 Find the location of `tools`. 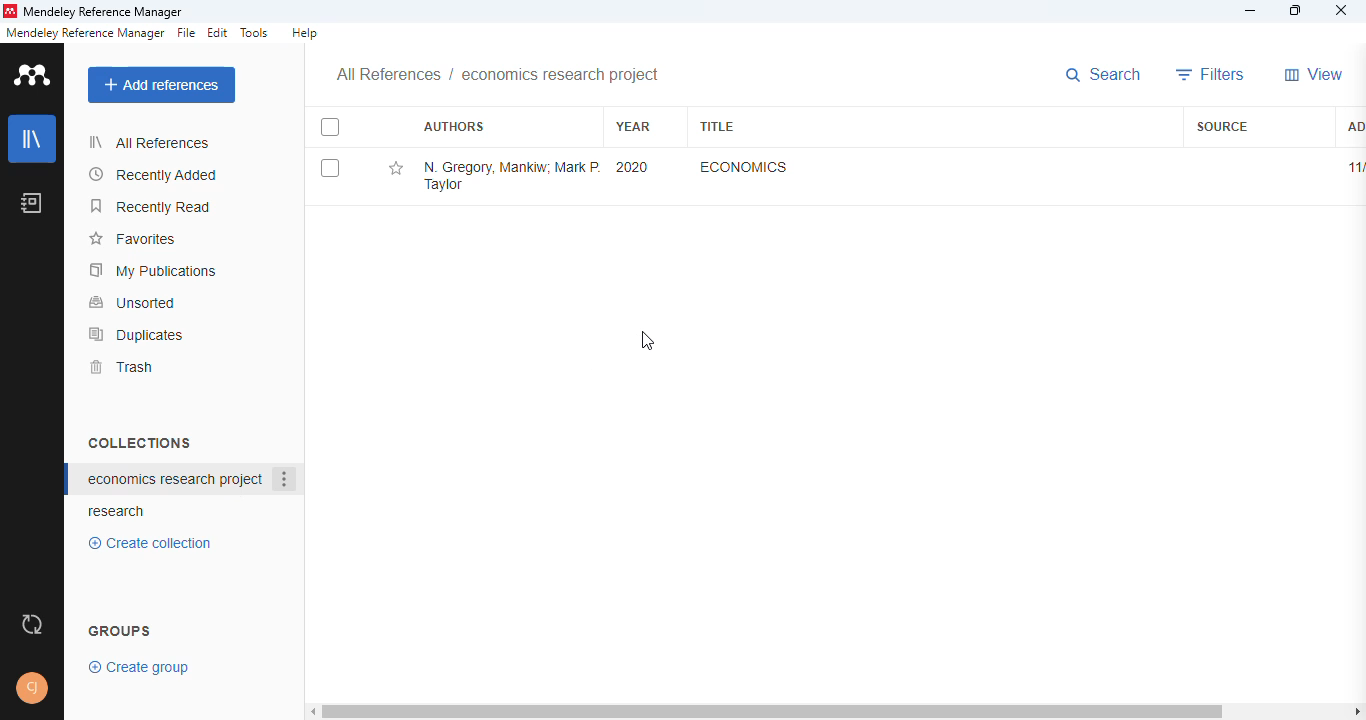

tools is located at coordinates (255, 33).